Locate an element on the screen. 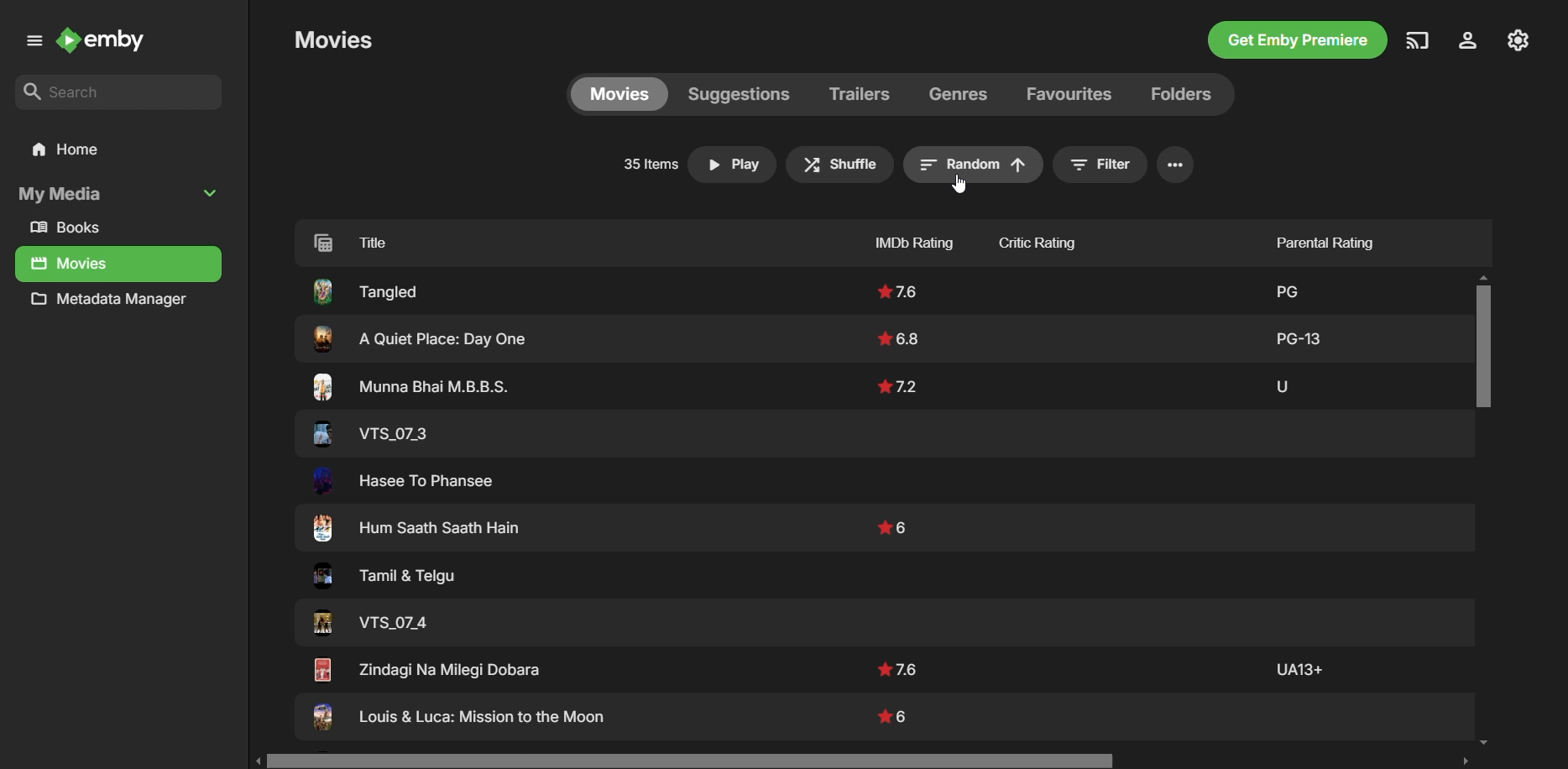  Books is located at coordinates (72, 228).